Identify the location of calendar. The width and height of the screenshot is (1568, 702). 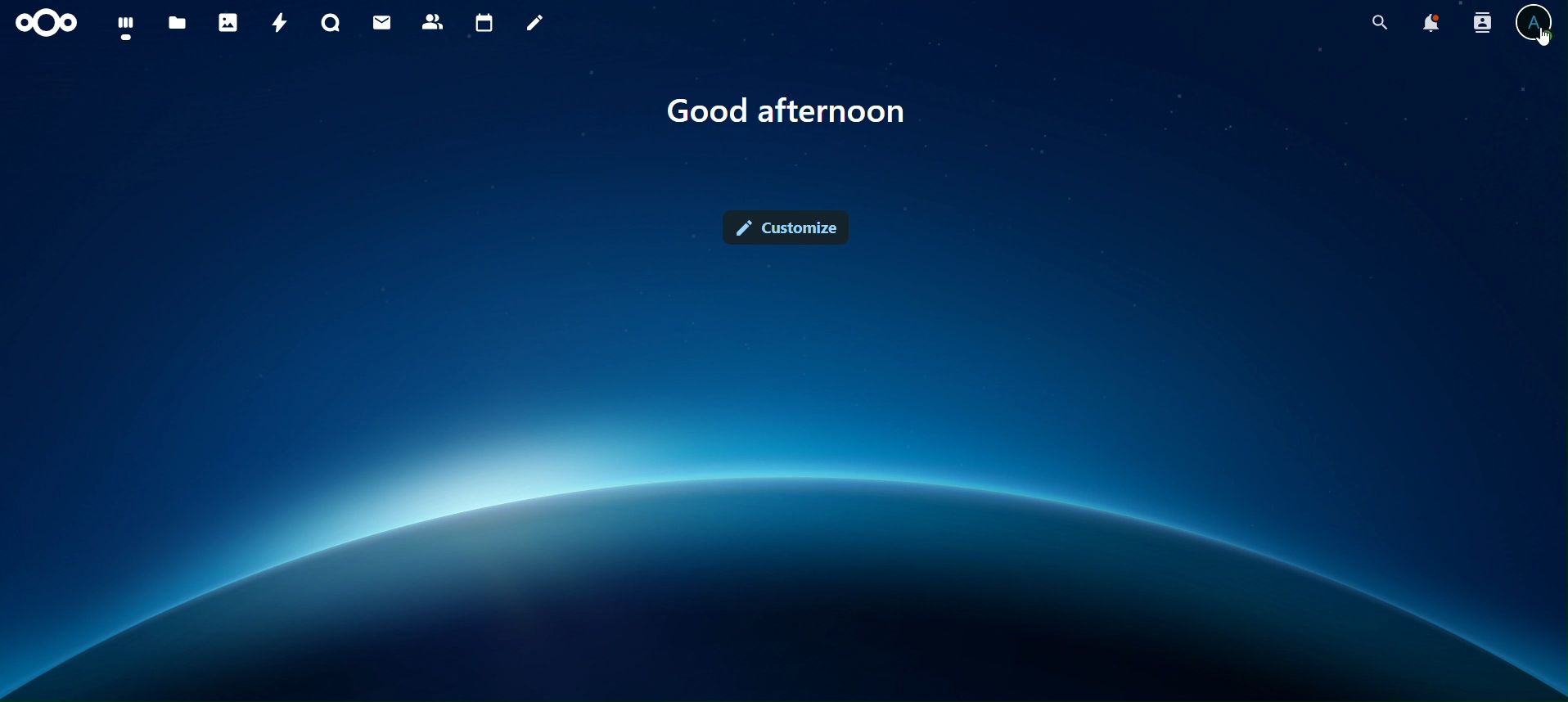
(487, 23).